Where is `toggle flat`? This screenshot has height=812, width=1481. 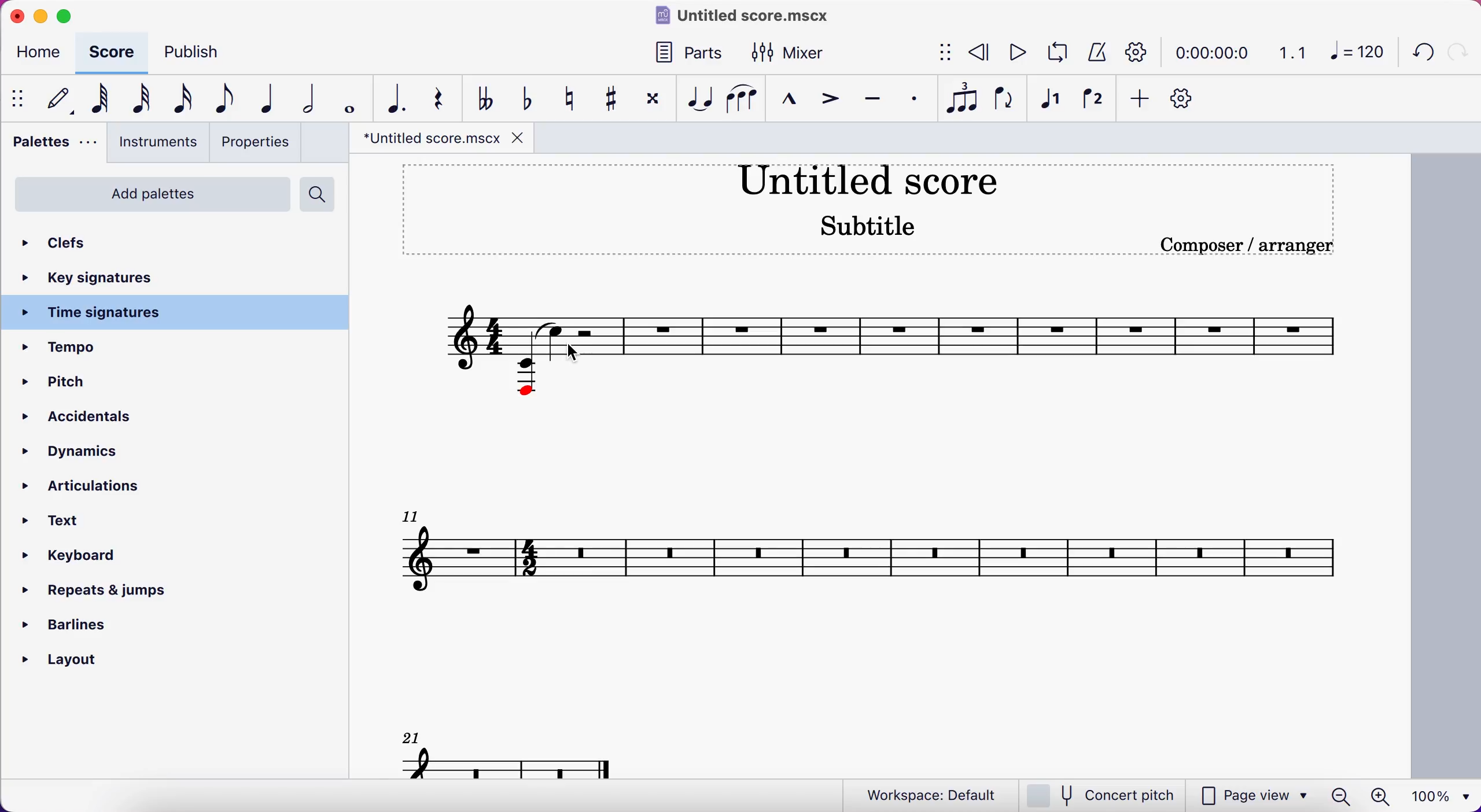 toggle flat is located at coordinates (526, 100).